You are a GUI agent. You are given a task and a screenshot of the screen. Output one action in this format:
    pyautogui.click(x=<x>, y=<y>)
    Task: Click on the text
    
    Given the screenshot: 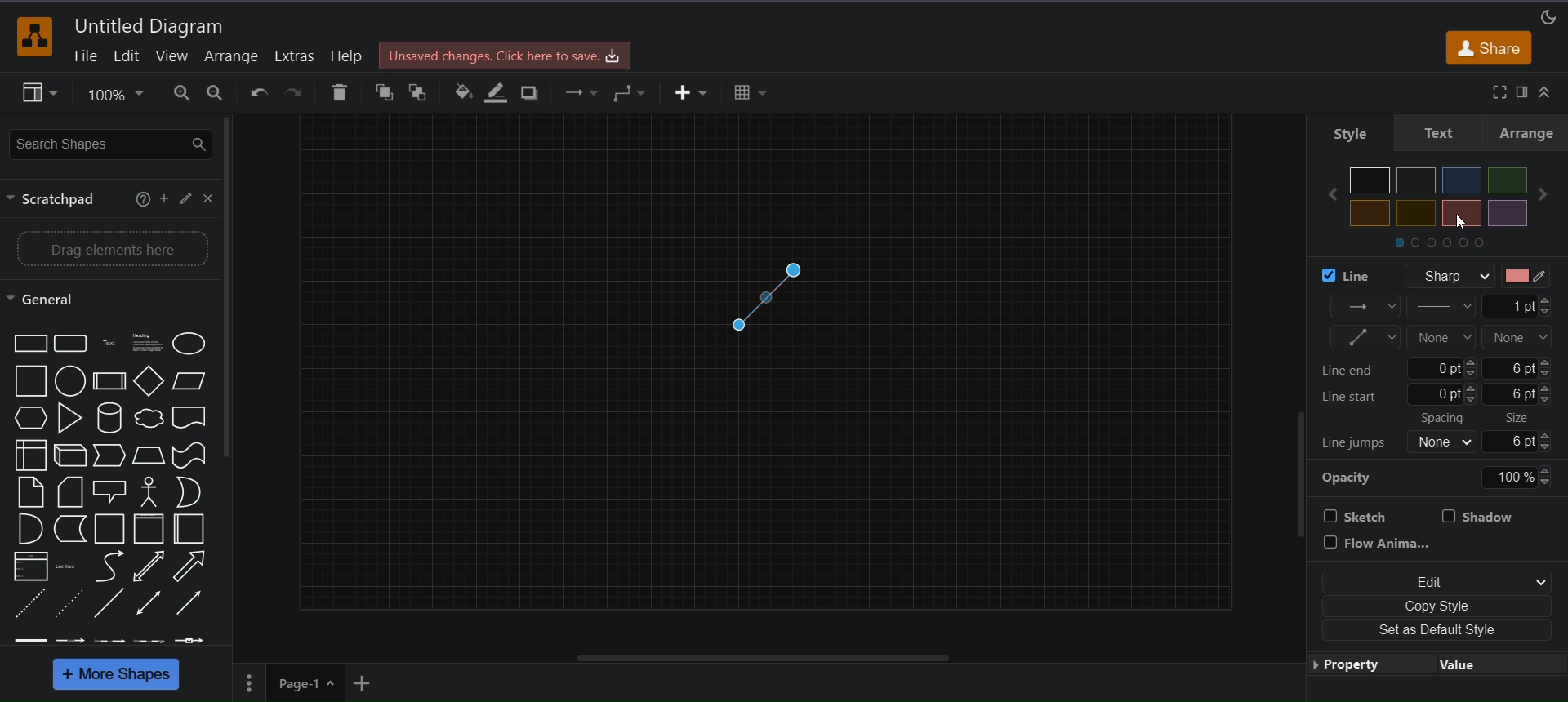 What is the action you would take?
    pyautogui.click(x=1446, y=136)
    